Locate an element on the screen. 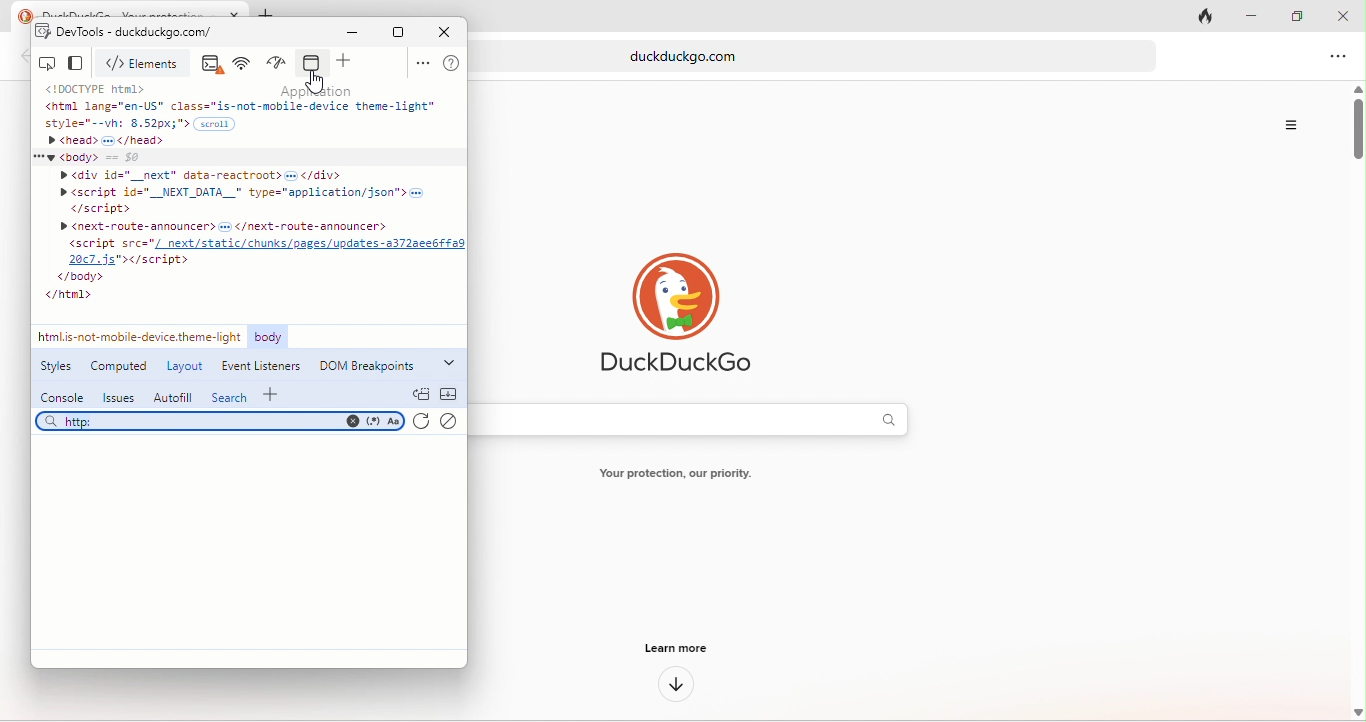  down arrow is located at coordinates (671, 687).